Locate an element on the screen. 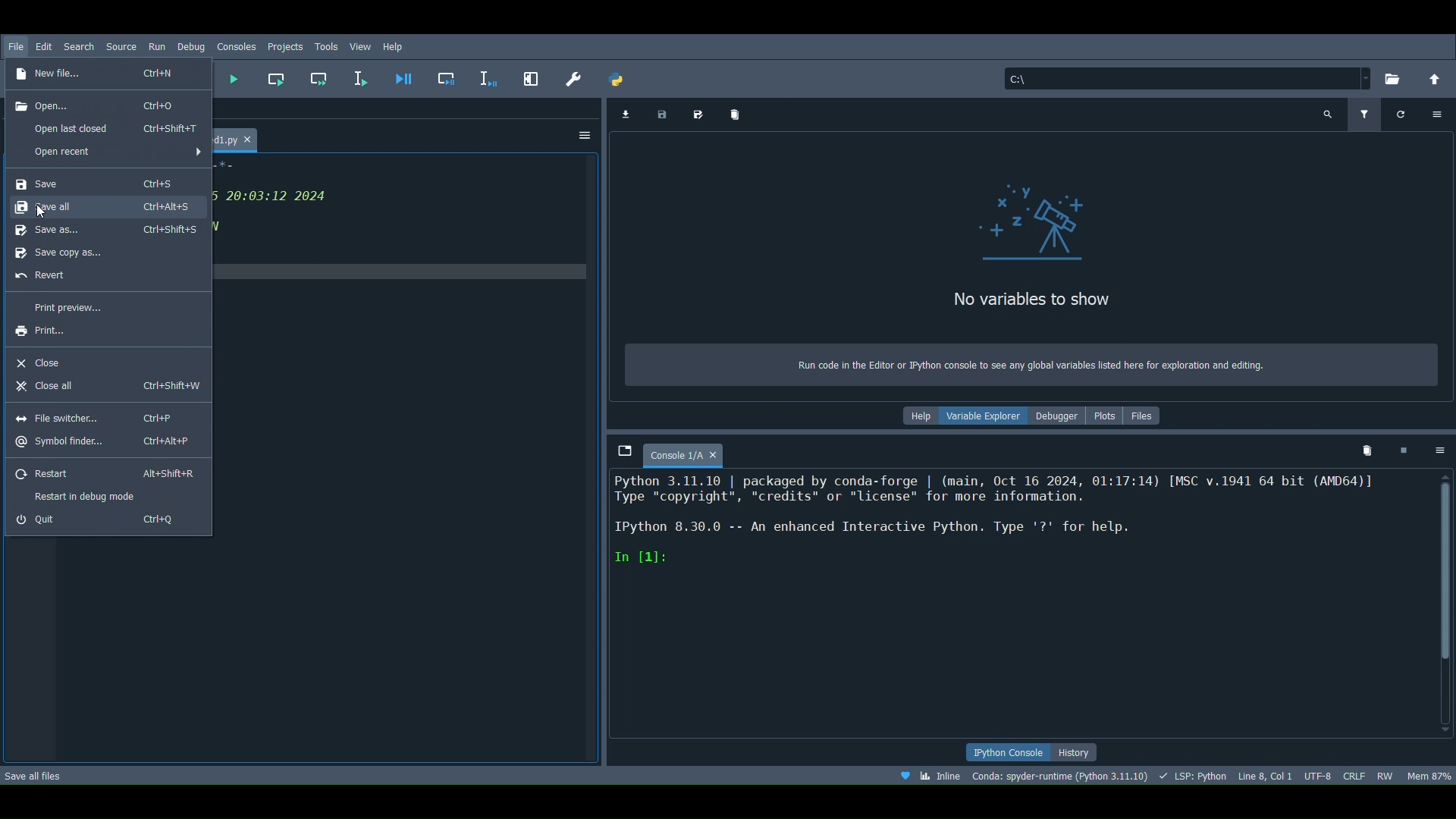 Image resolution: width=1456 pixels, height=819 pixels. Search is located at coordinates (77, 45).